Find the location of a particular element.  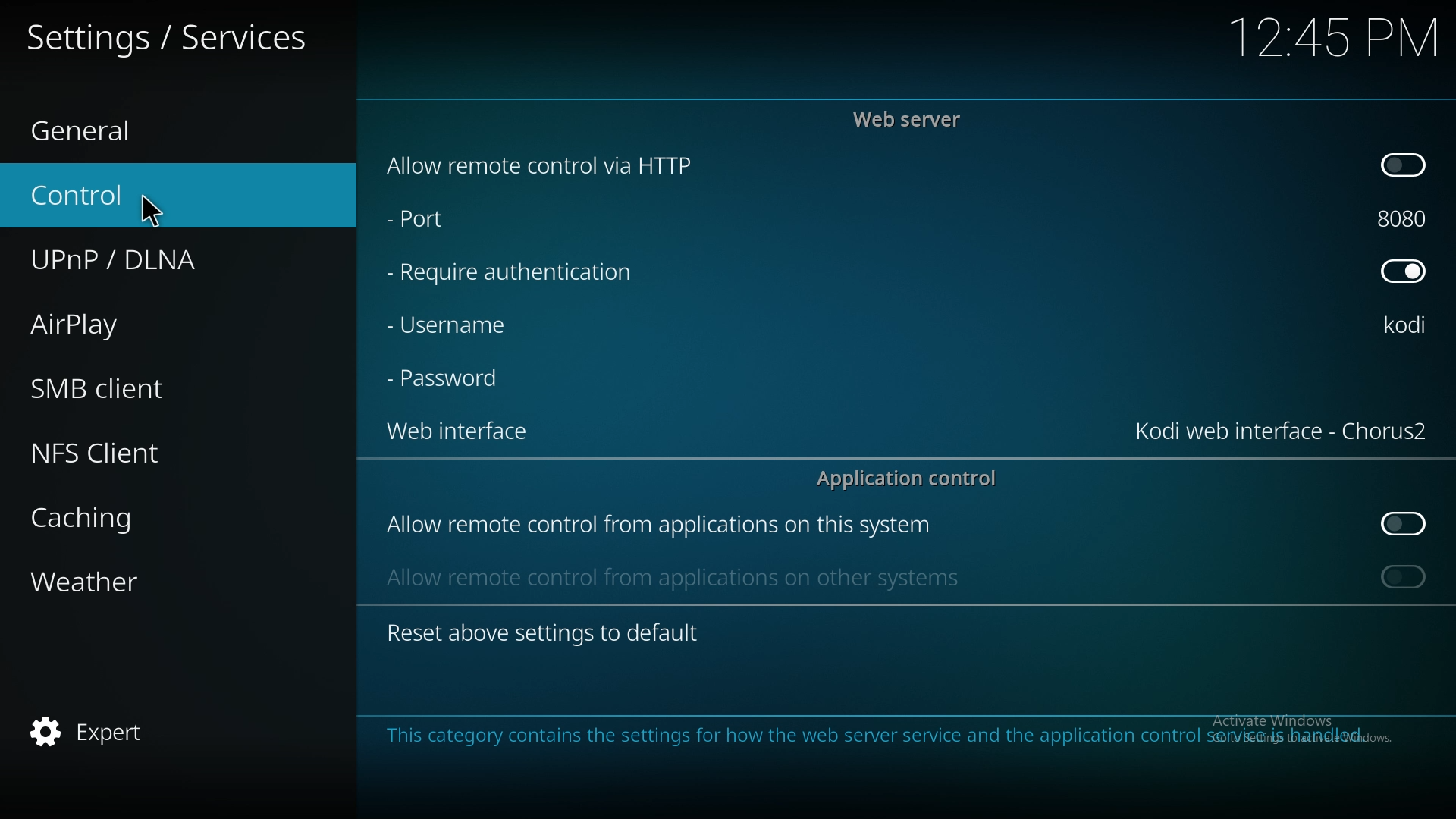

general is located at coordinates (129, 127).